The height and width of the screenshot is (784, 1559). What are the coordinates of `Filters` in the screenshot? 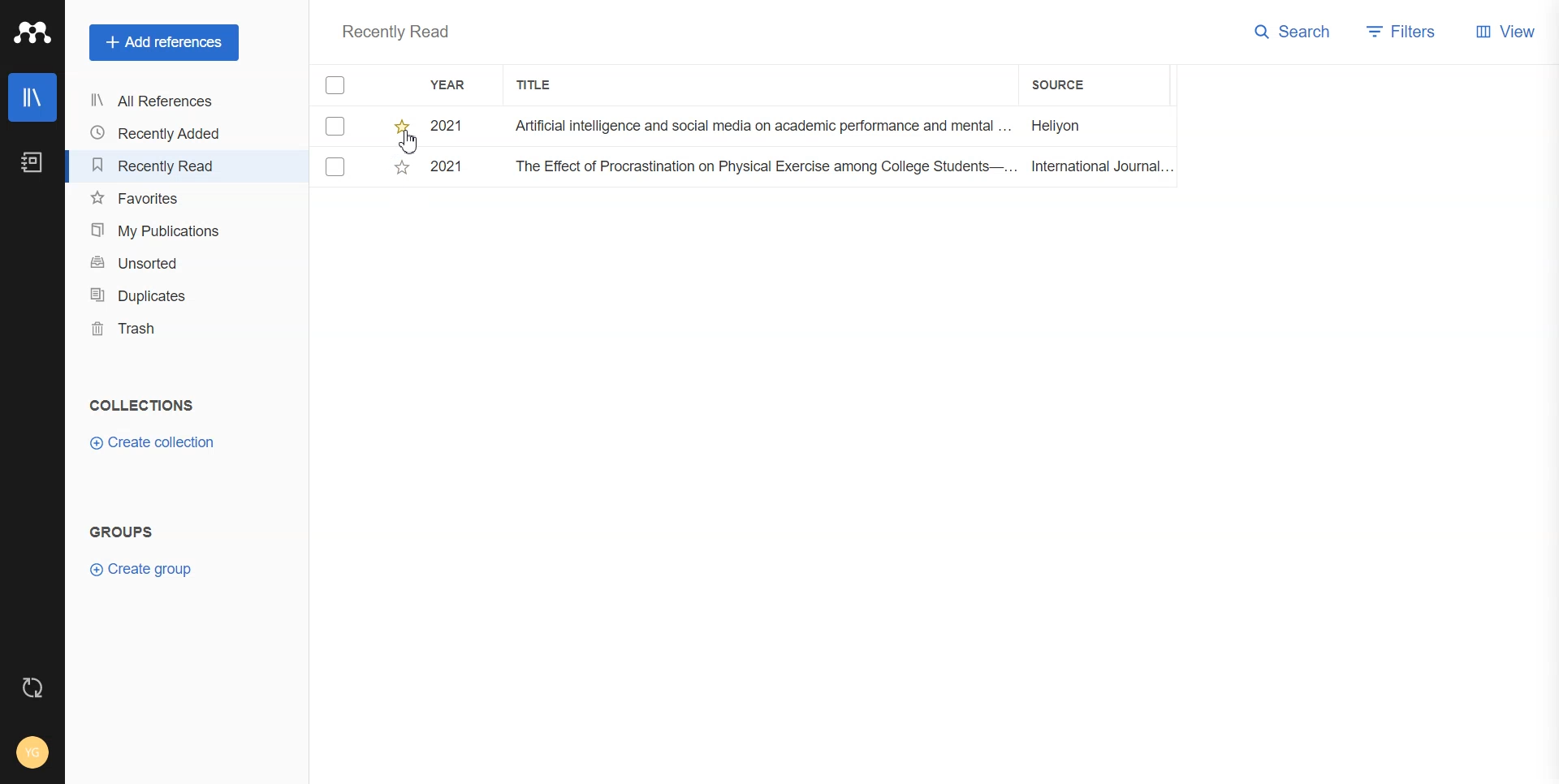 It's located at (1402, 32).